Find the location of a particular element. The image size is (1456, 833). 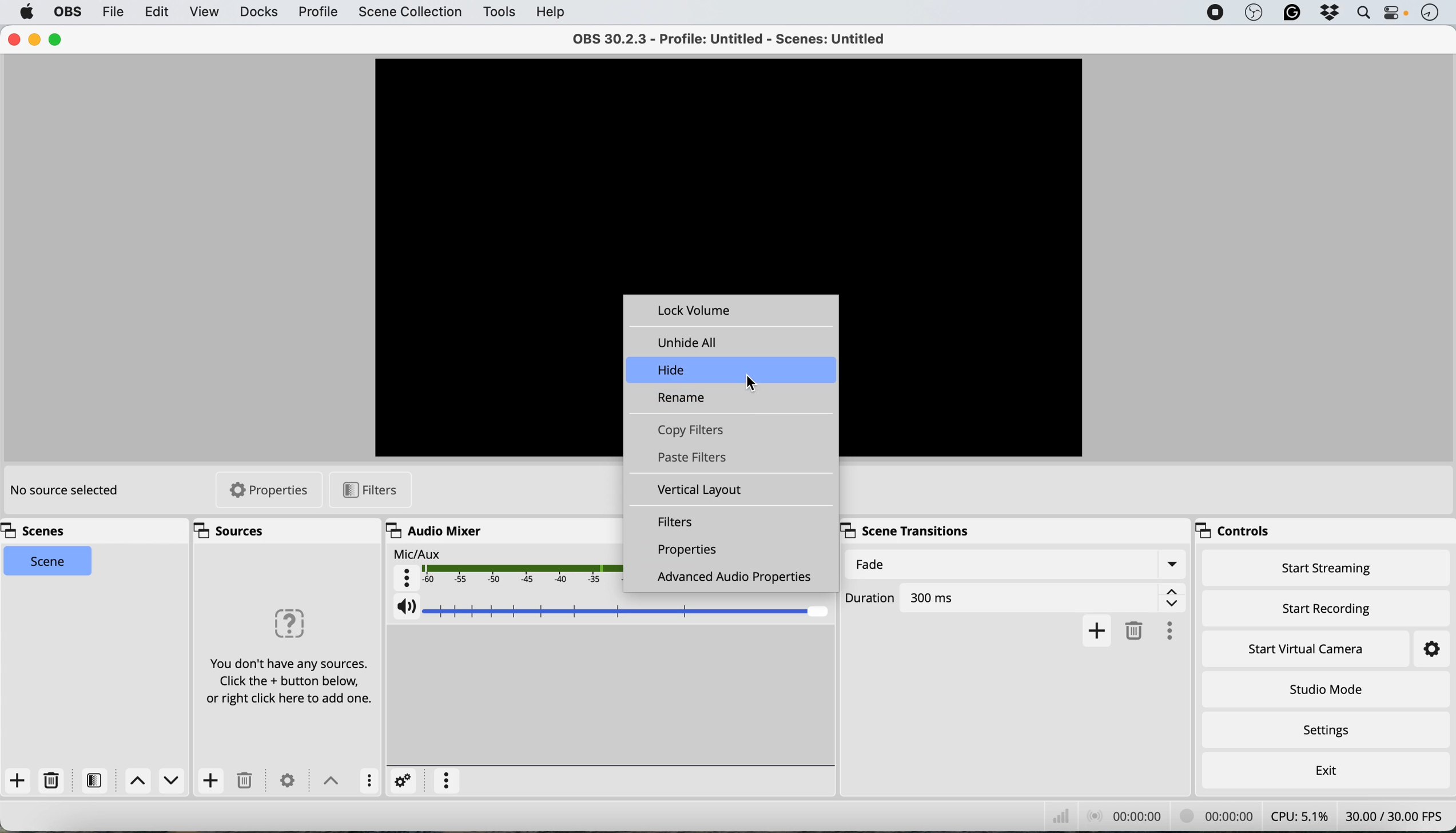

more options is located at coordinates (1168, 629).